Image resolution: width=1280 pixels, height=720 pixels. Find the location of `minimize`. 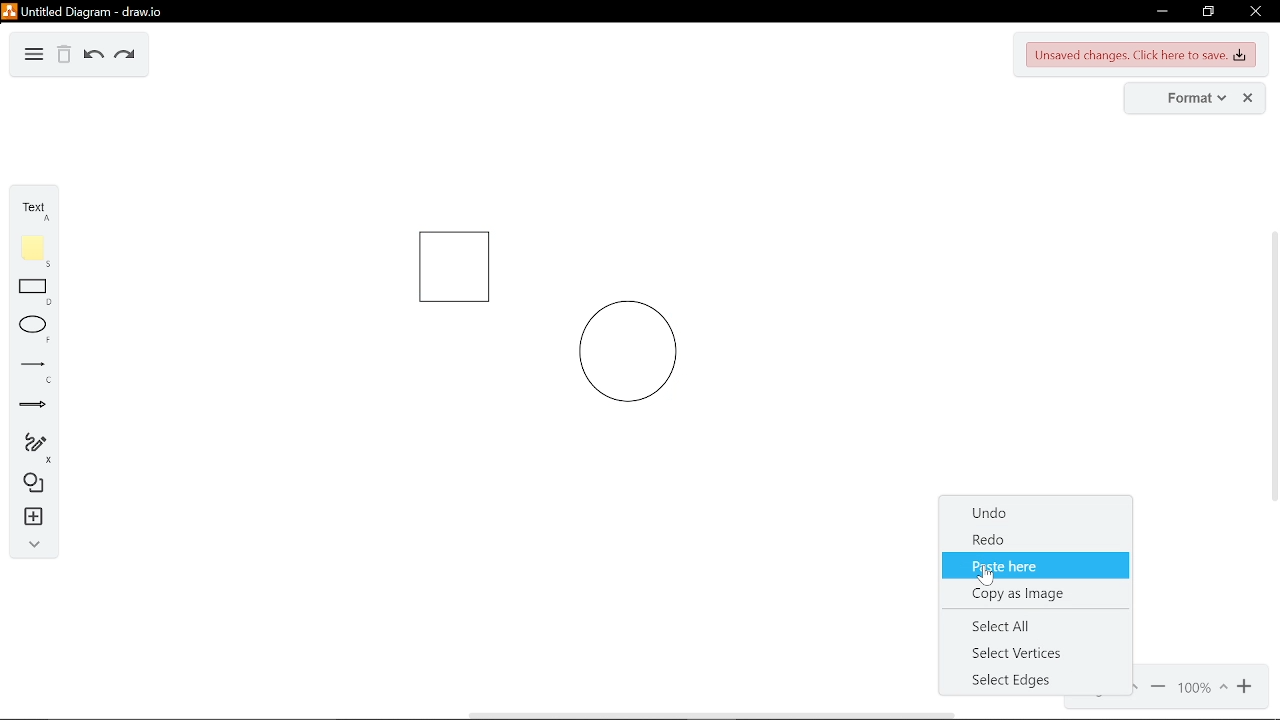

minimize is located at coordinates (1159, 12).